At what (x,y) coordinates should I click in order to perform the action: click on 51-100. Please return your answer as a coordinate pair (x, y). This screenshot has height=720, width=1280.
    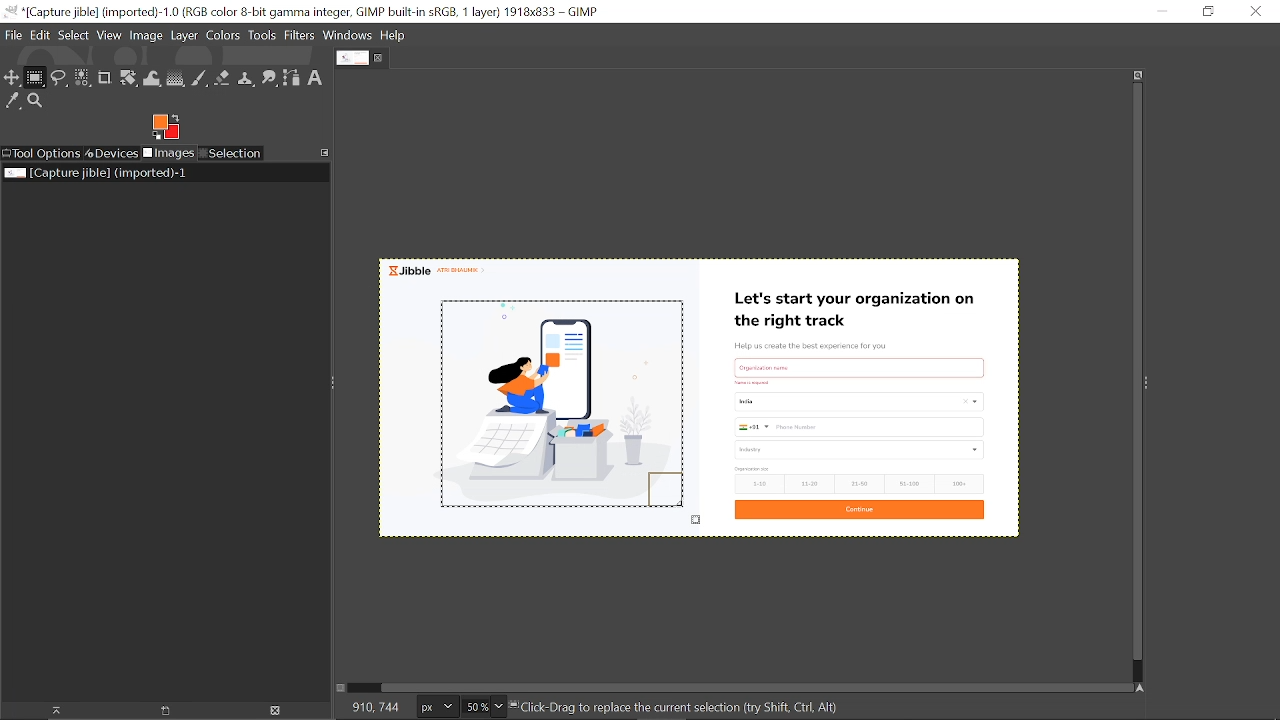
    Looking at the image, I should click on (907, 483).